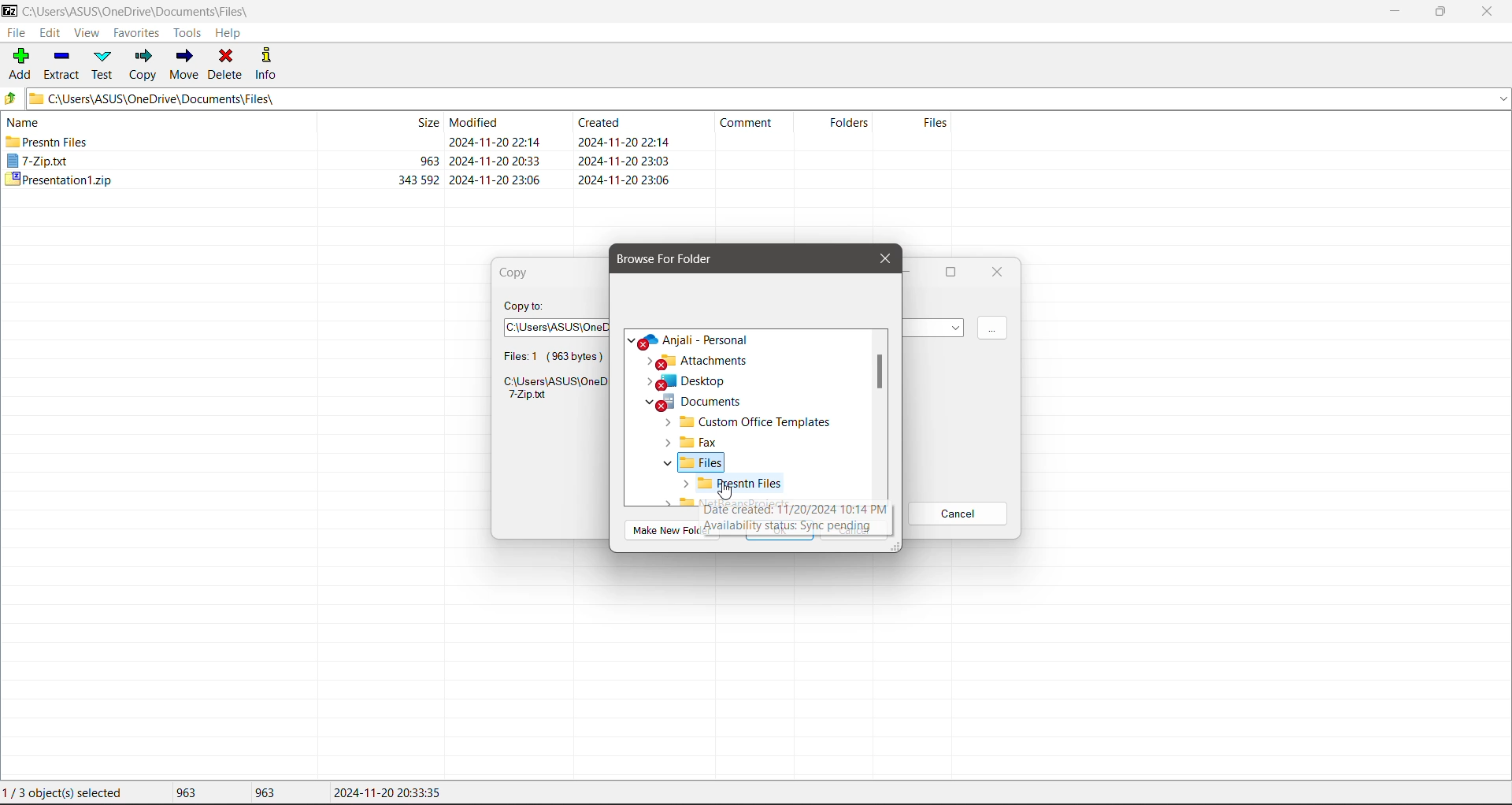 The height and width of the screenshot is (805, 1512). I want to click on Presntn Files, so click(48, 142).